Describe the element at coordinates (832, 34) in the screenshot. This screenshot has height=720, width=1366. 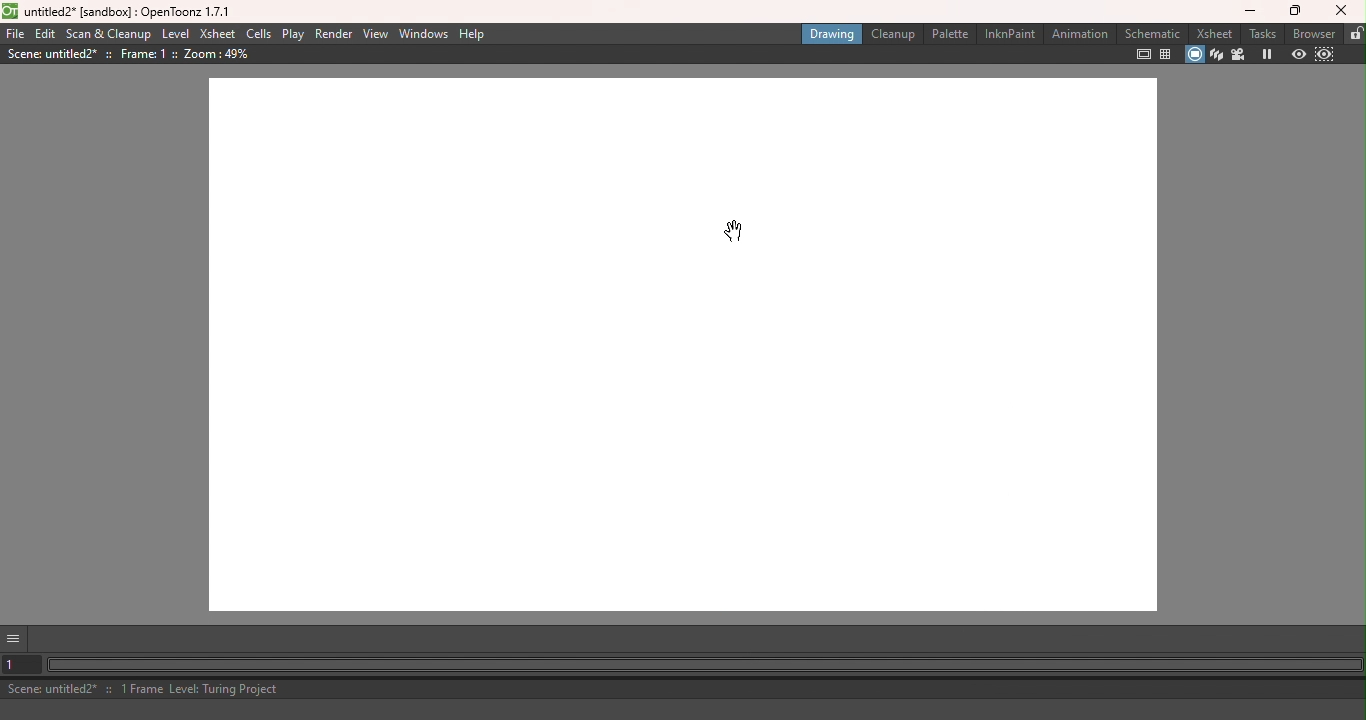
I see `Drawing` at that location.